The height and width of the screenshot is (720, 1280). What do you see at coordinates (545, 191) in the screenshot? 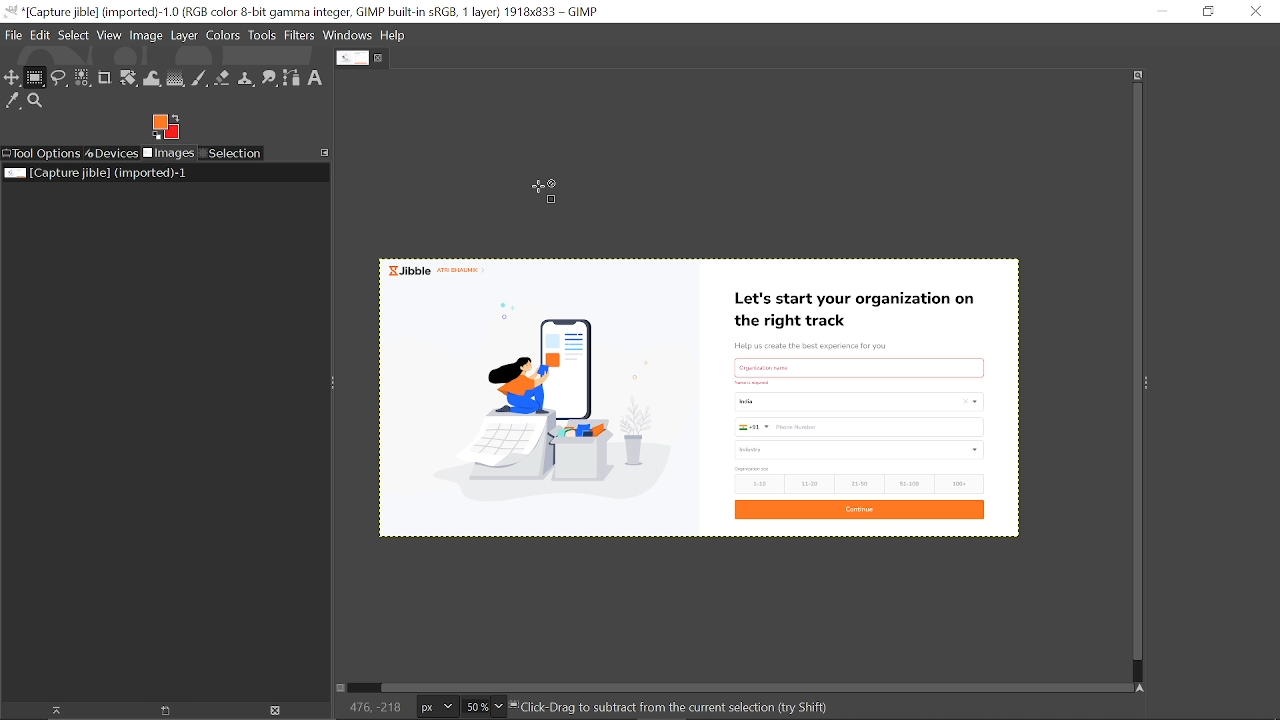
I see `Cursor ` at bounding box center [545, 191].